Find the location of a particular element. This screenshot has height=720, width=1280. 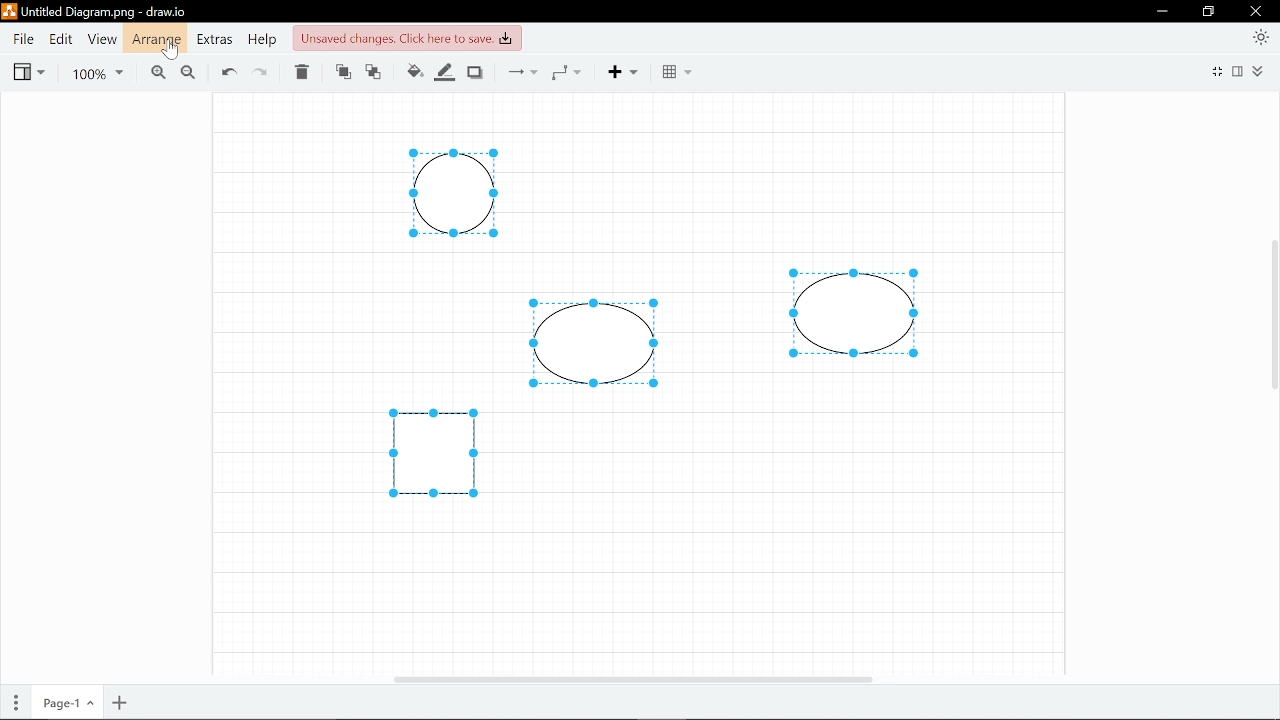

Current page is located at coordinates (65, 704).